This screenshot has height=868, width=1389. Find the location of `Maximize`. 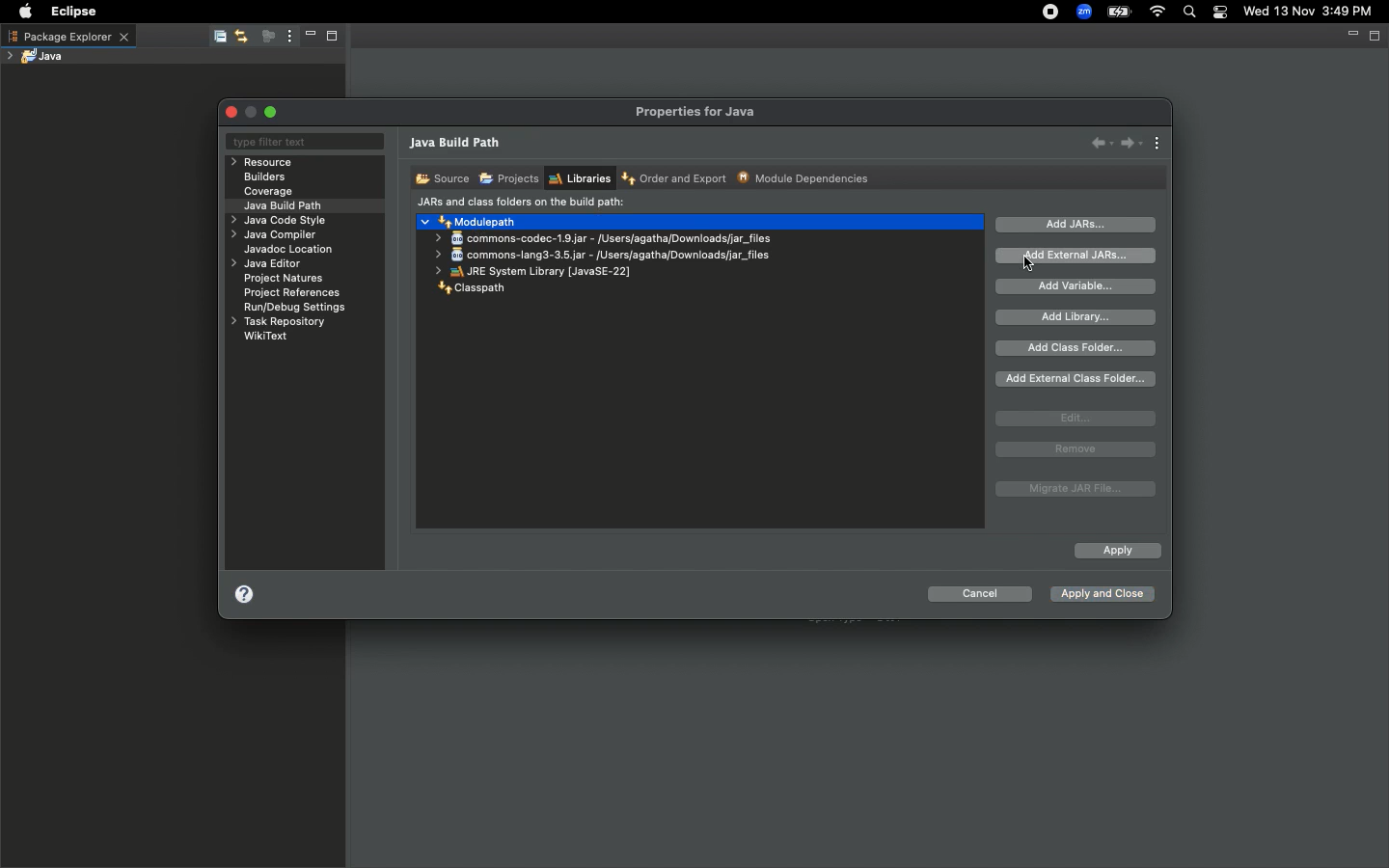

Maximize is located at coordinates (338, 38).